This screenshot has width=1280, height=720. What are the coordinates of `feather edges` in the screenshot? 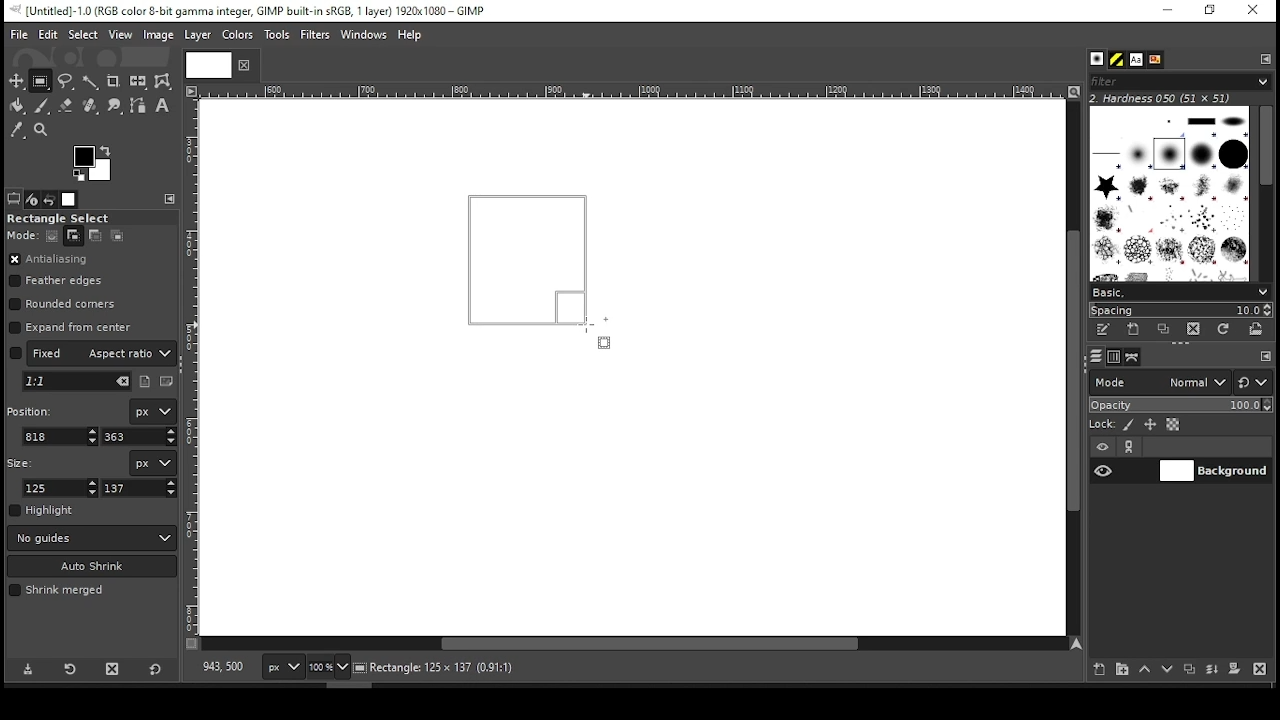 It's located at (61, 281).